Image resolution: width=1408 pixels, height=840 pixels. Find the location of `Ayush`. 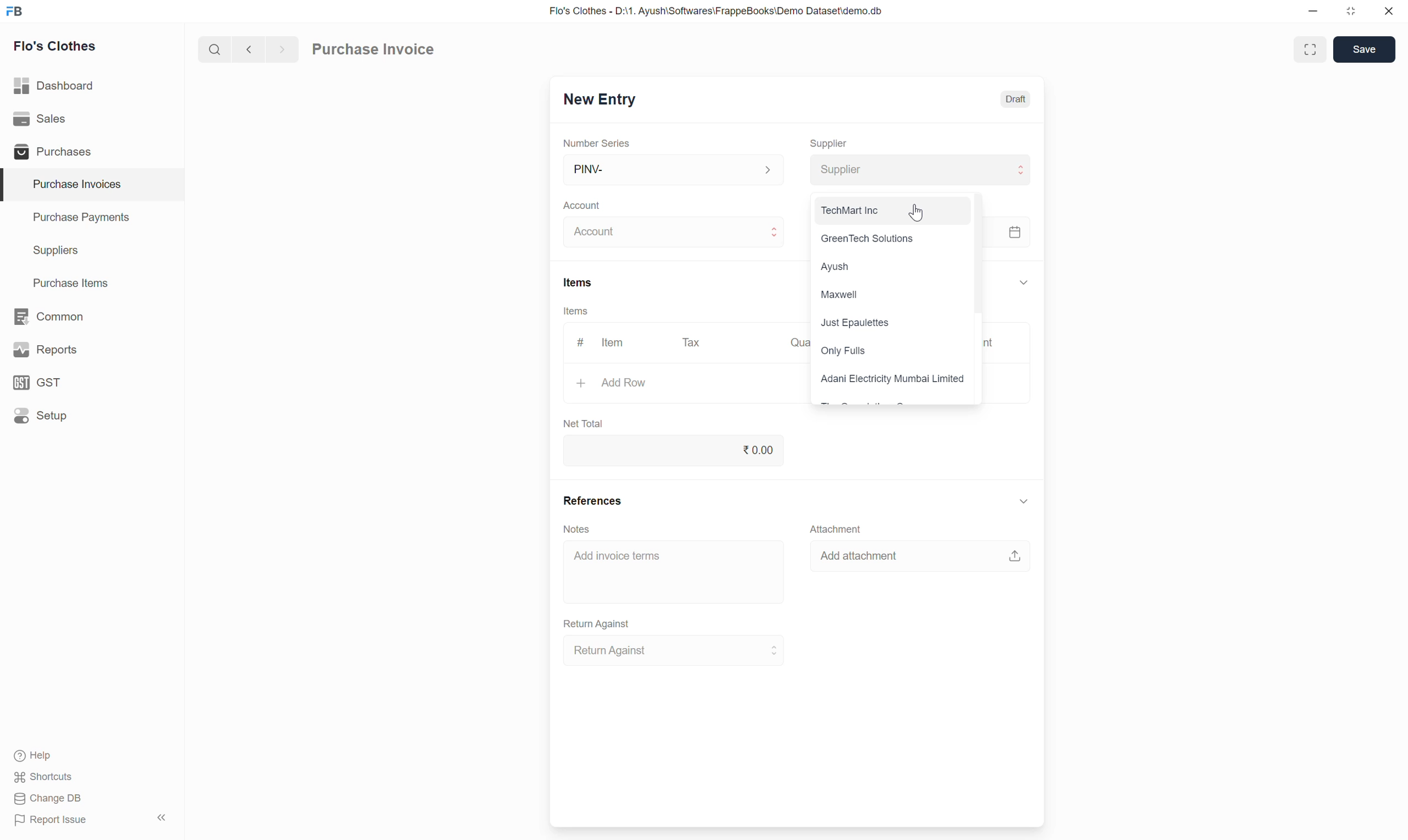

Ayush is located at coordinates (893, 267).